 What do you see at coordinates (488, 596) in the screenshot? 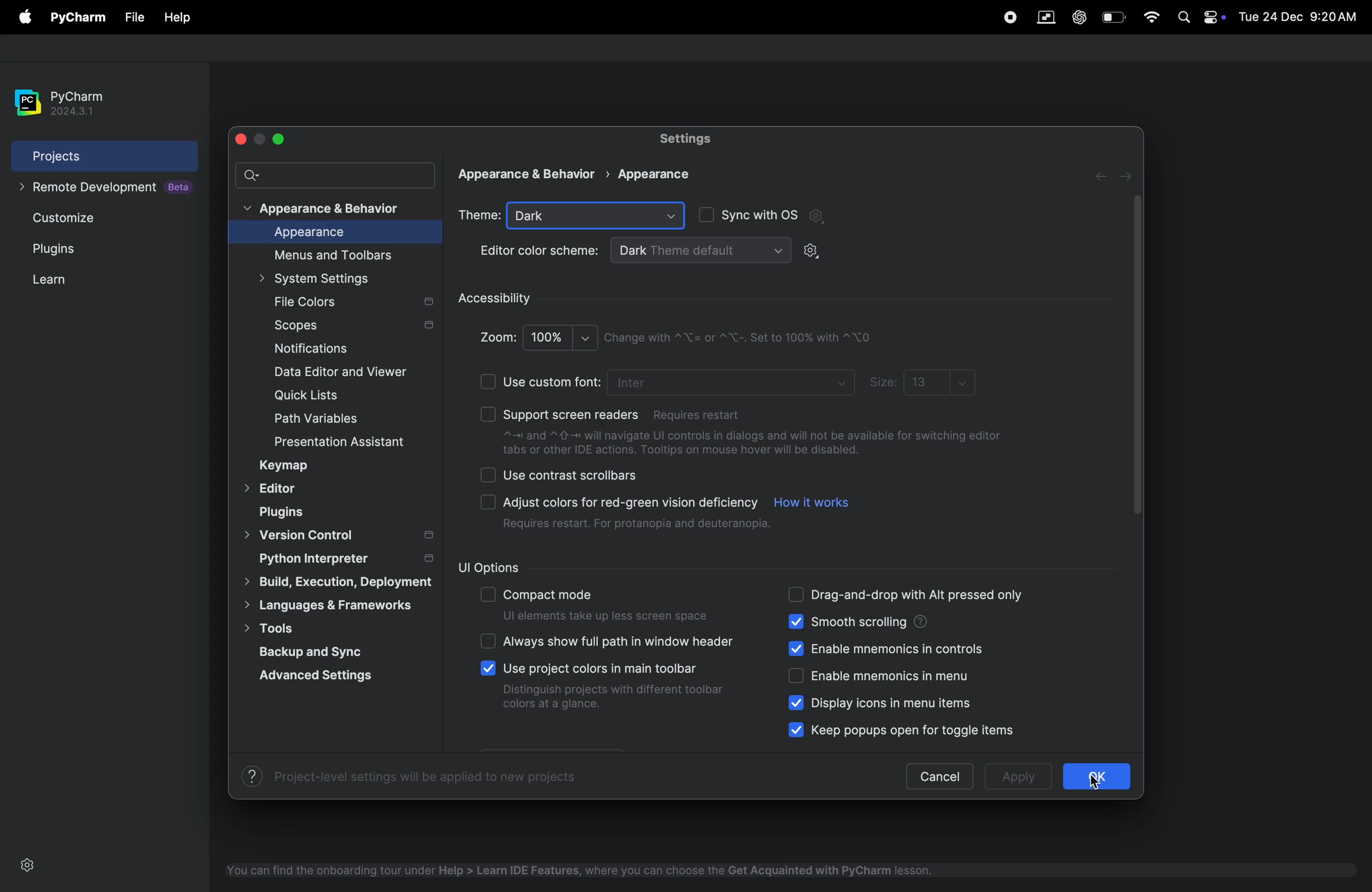
I see `check box` at bounding box center [488, 596].